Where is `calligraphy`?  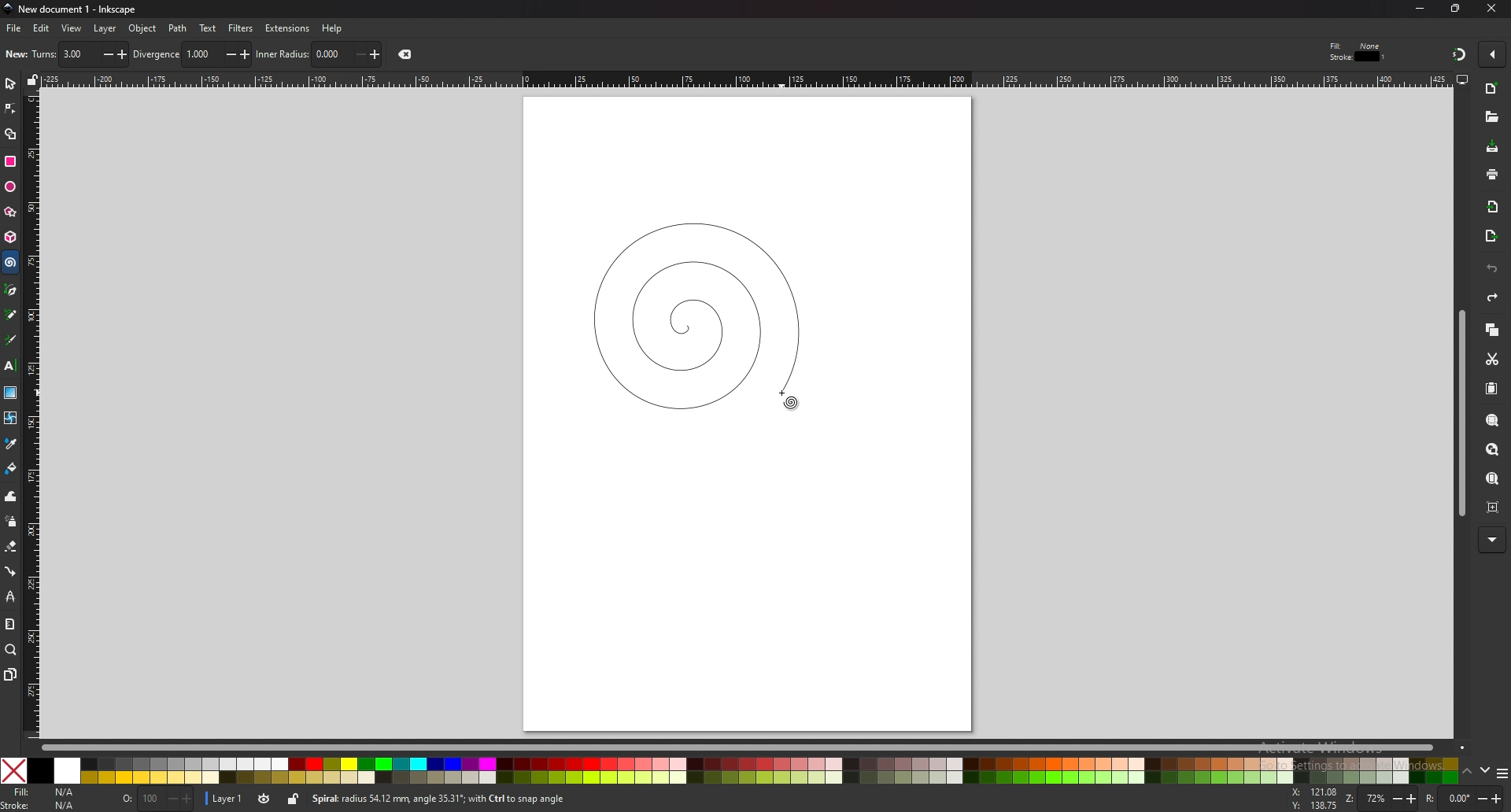
calligraphy is located at coordinates (12, 339).